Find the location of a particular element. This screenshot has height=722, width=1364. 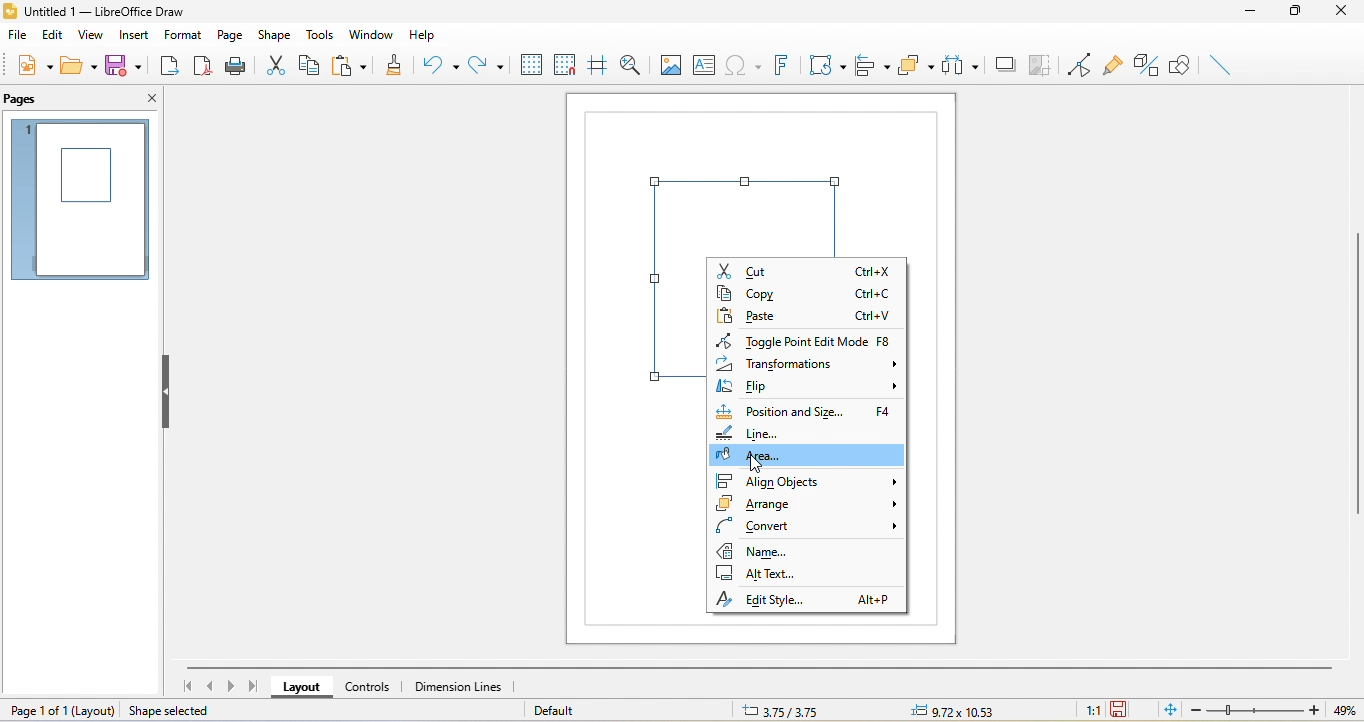

maximize is located at coordinates (1295, 13).